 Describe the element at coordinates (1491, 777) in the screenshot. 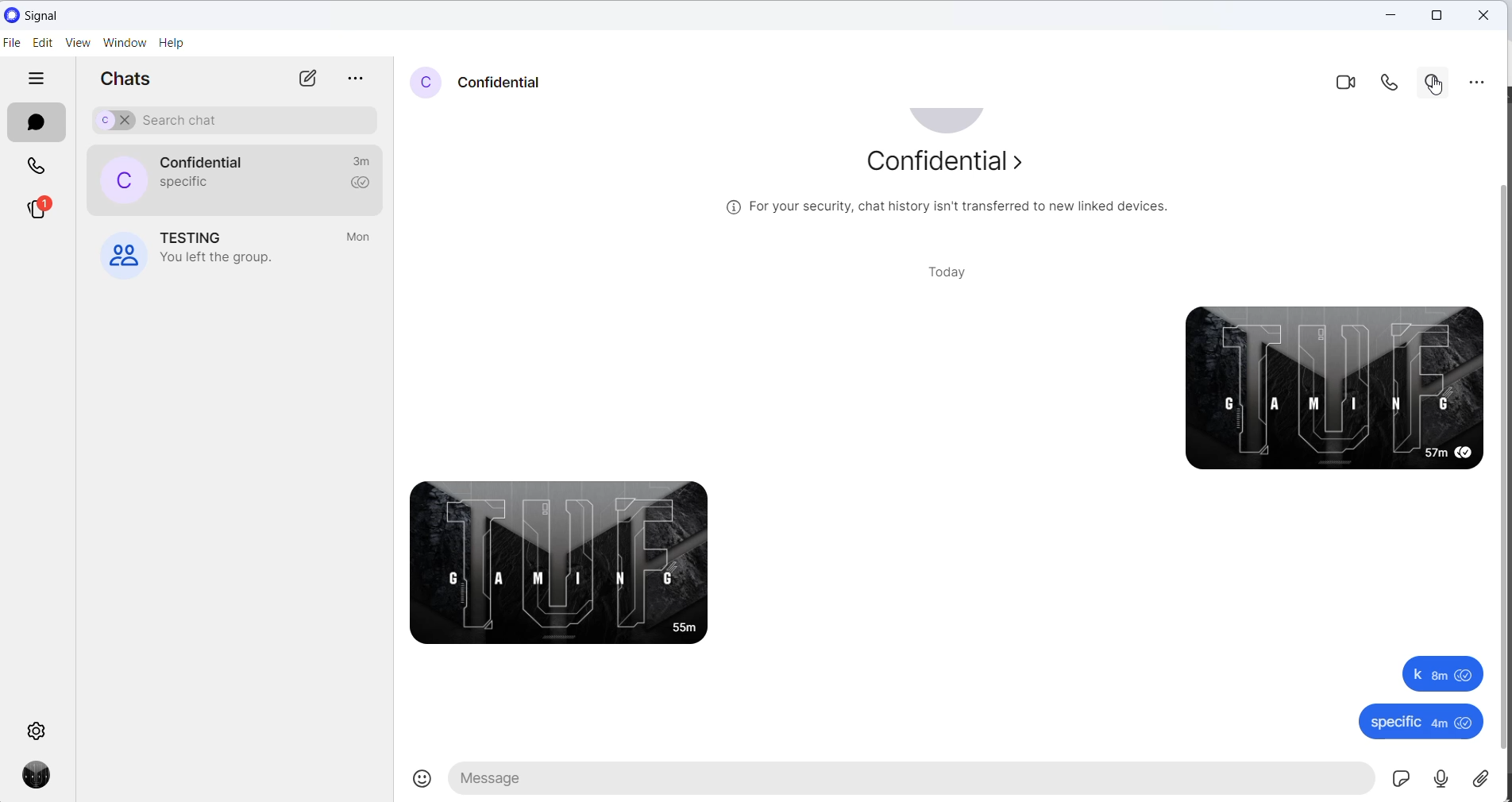

I see `share attachment` at that location.